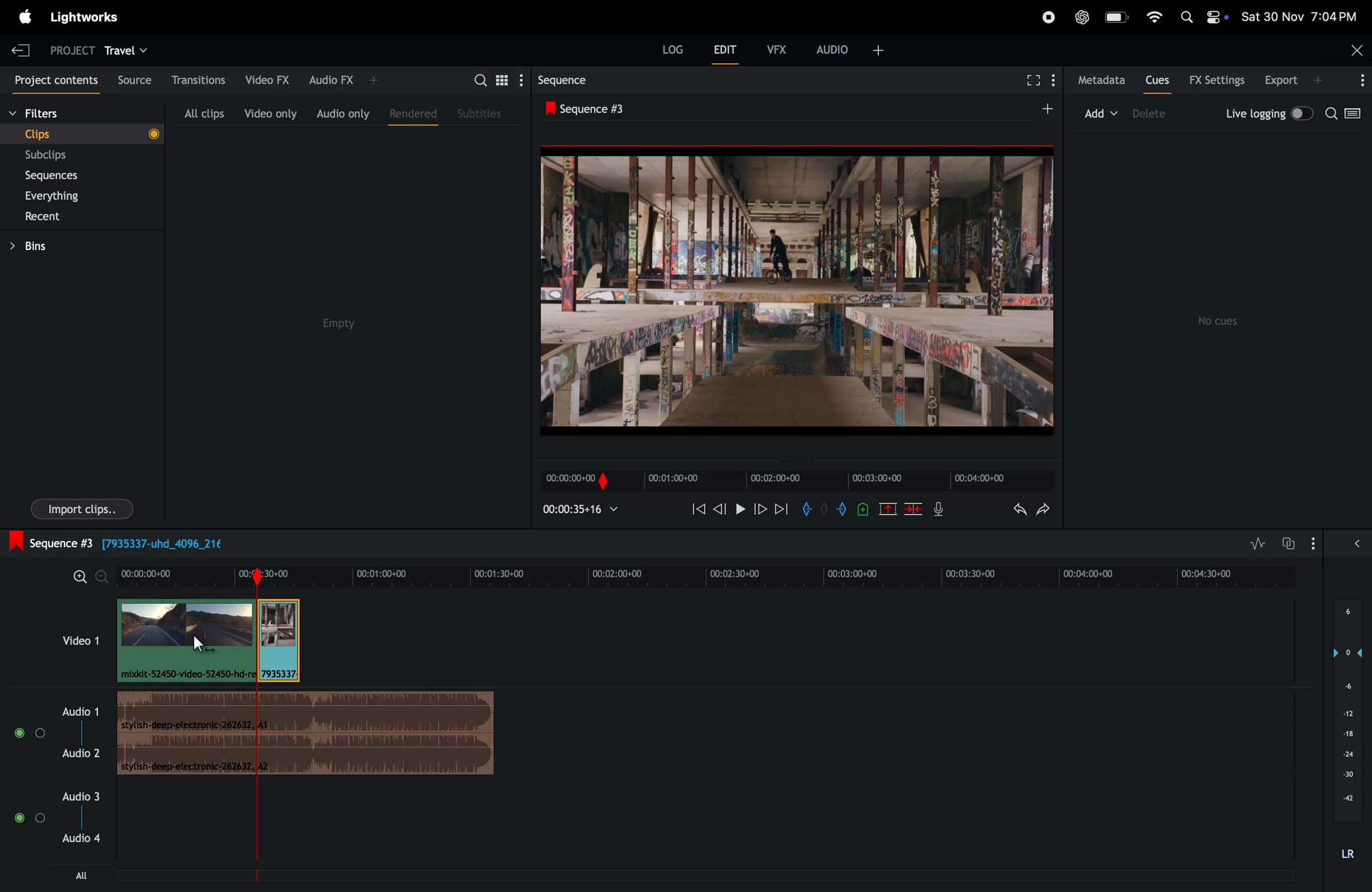  I want to click on everything, so click(70, 195).